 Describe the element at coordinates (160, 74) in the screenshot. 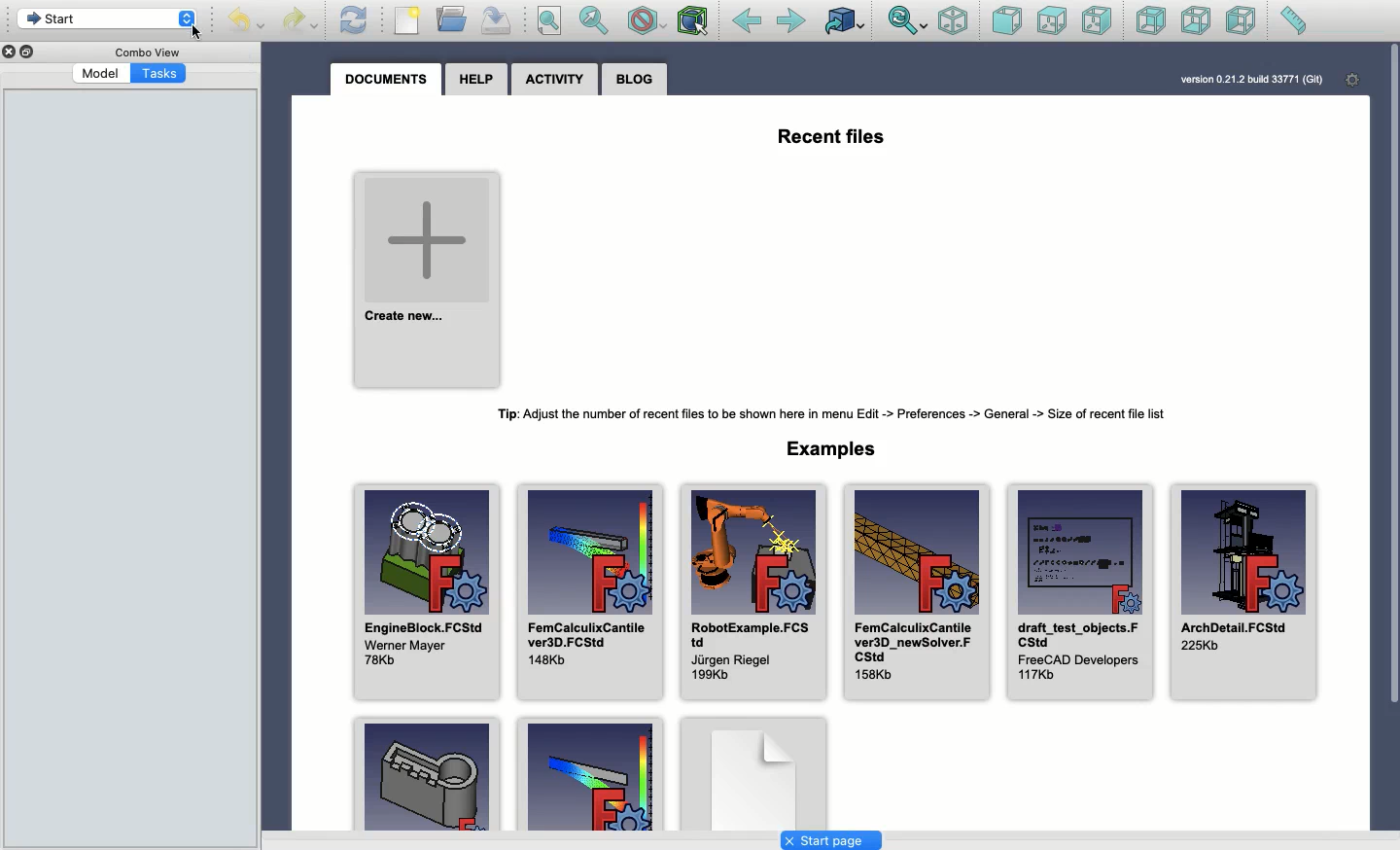

I see `Tasks` at that location.